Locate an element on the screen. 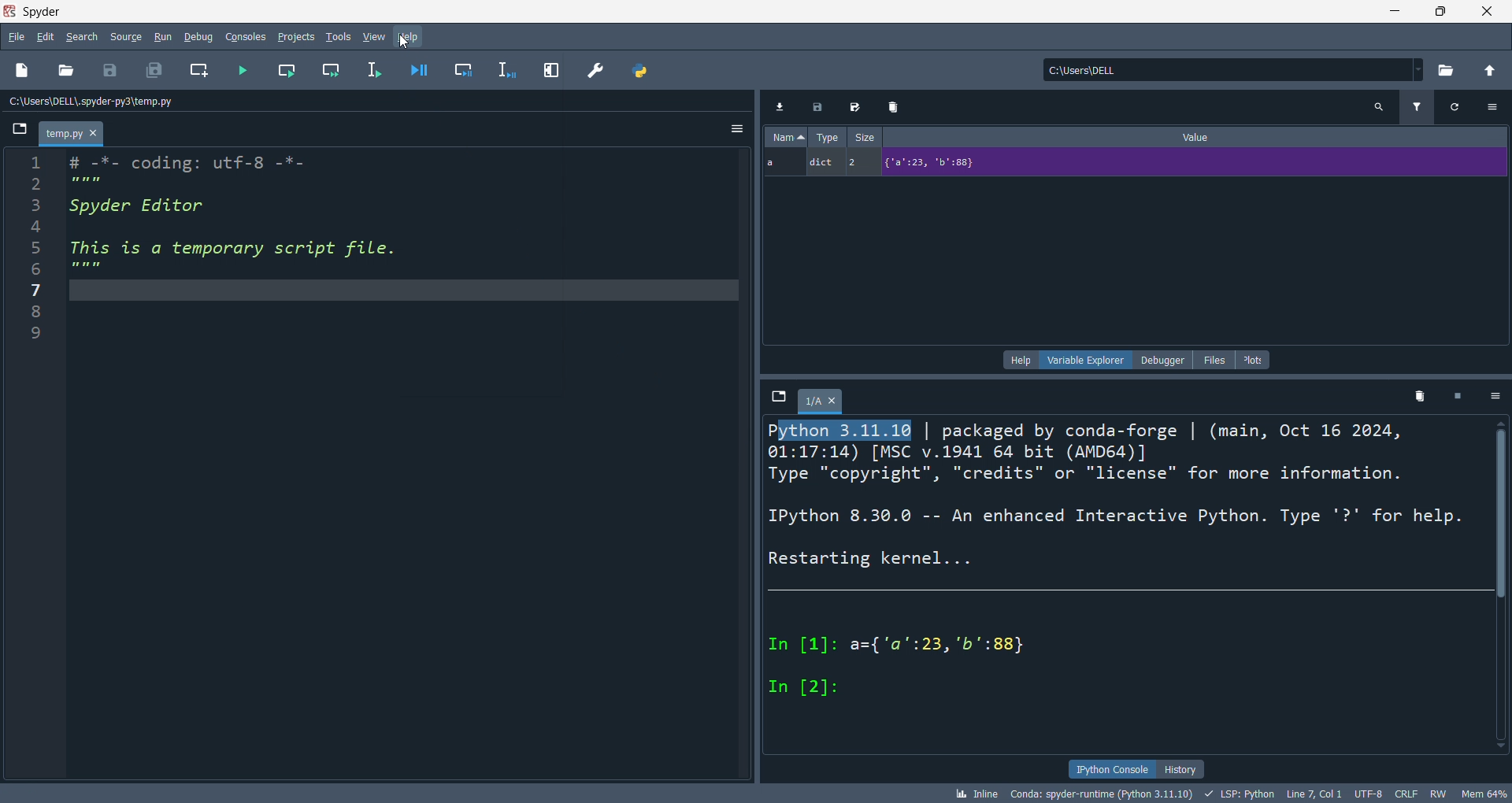 The image size is (1512, 803). new cell is located at coordinates (202, 73).